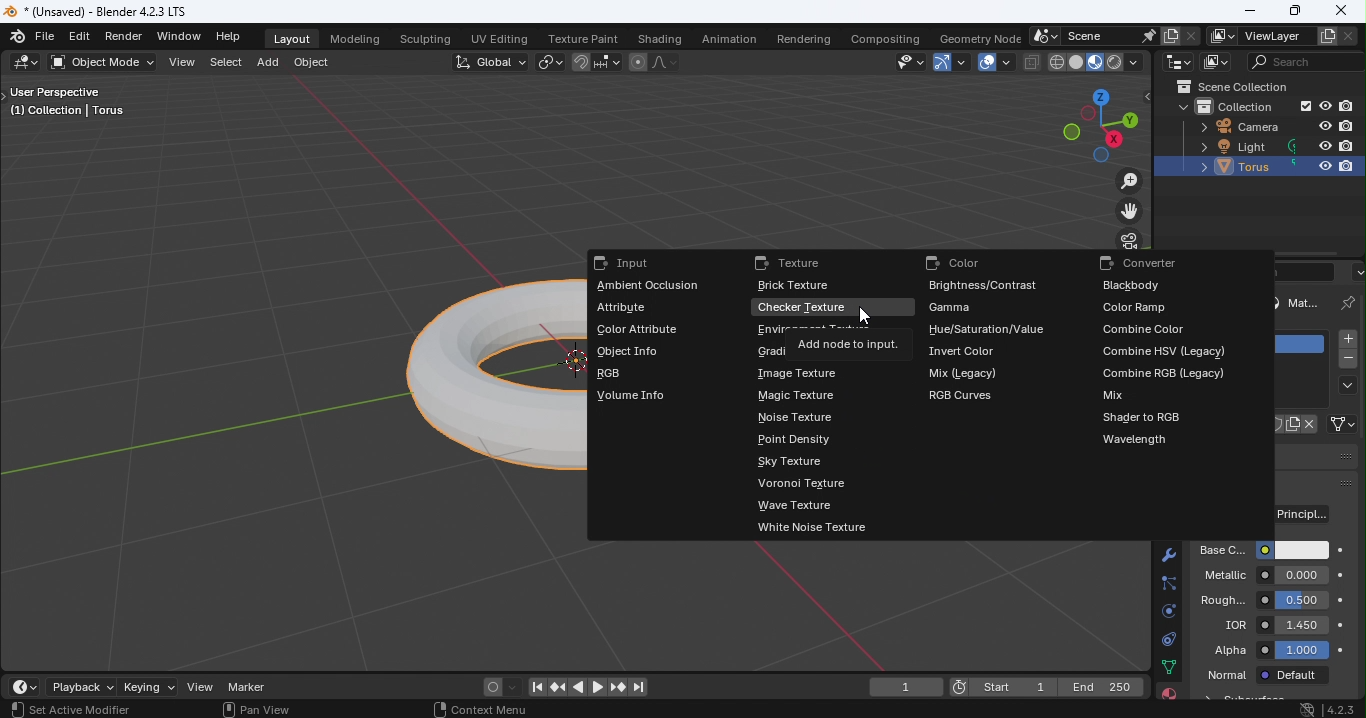 The height and width of the screenshot is (718, 1366). Describe the element at coordinates (1029, 62) in the screenshot. I see `Toggle X-ray` at that location.